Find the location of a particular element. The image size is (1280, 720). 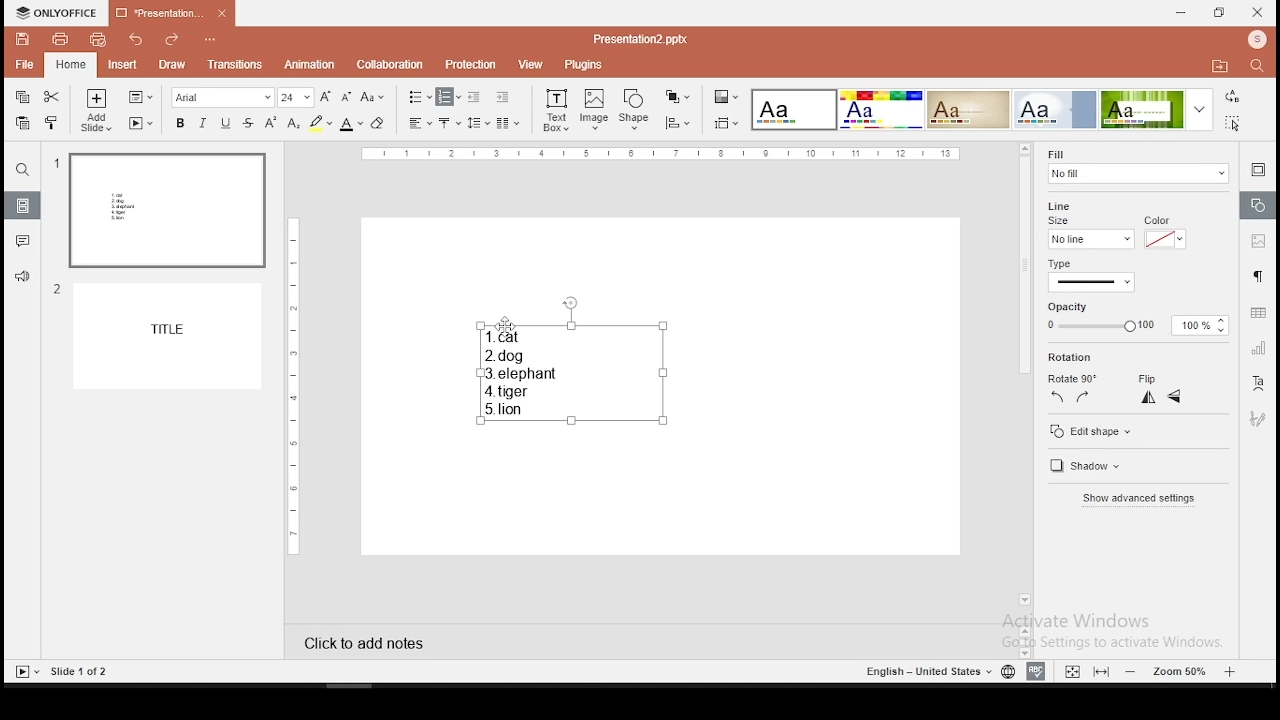

theme is located at coordinates (881, 110).